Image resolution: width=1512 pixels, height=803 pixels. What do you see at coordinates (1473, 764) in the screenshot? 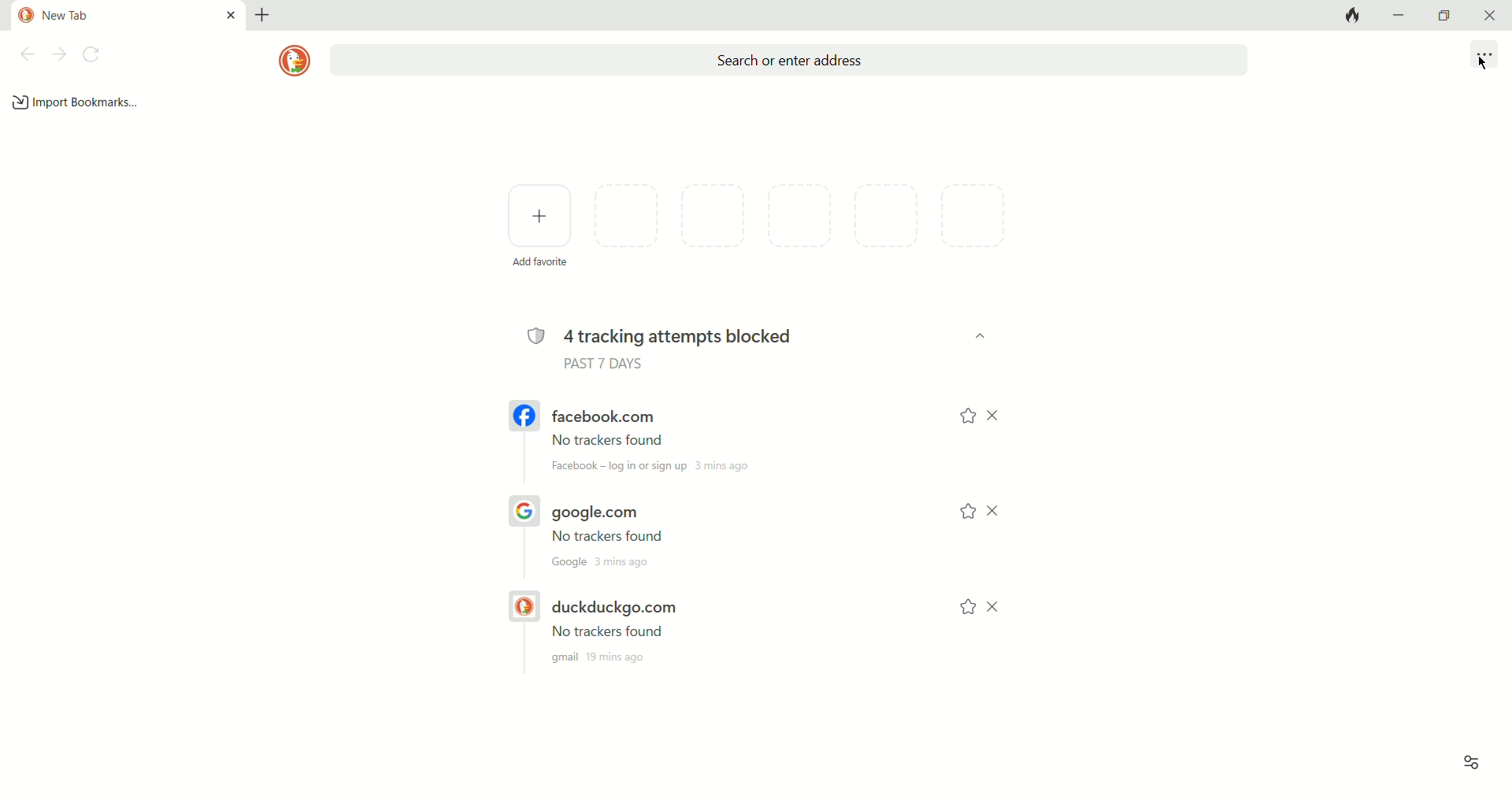
I see `view options` at bounding box center [1473, 764].